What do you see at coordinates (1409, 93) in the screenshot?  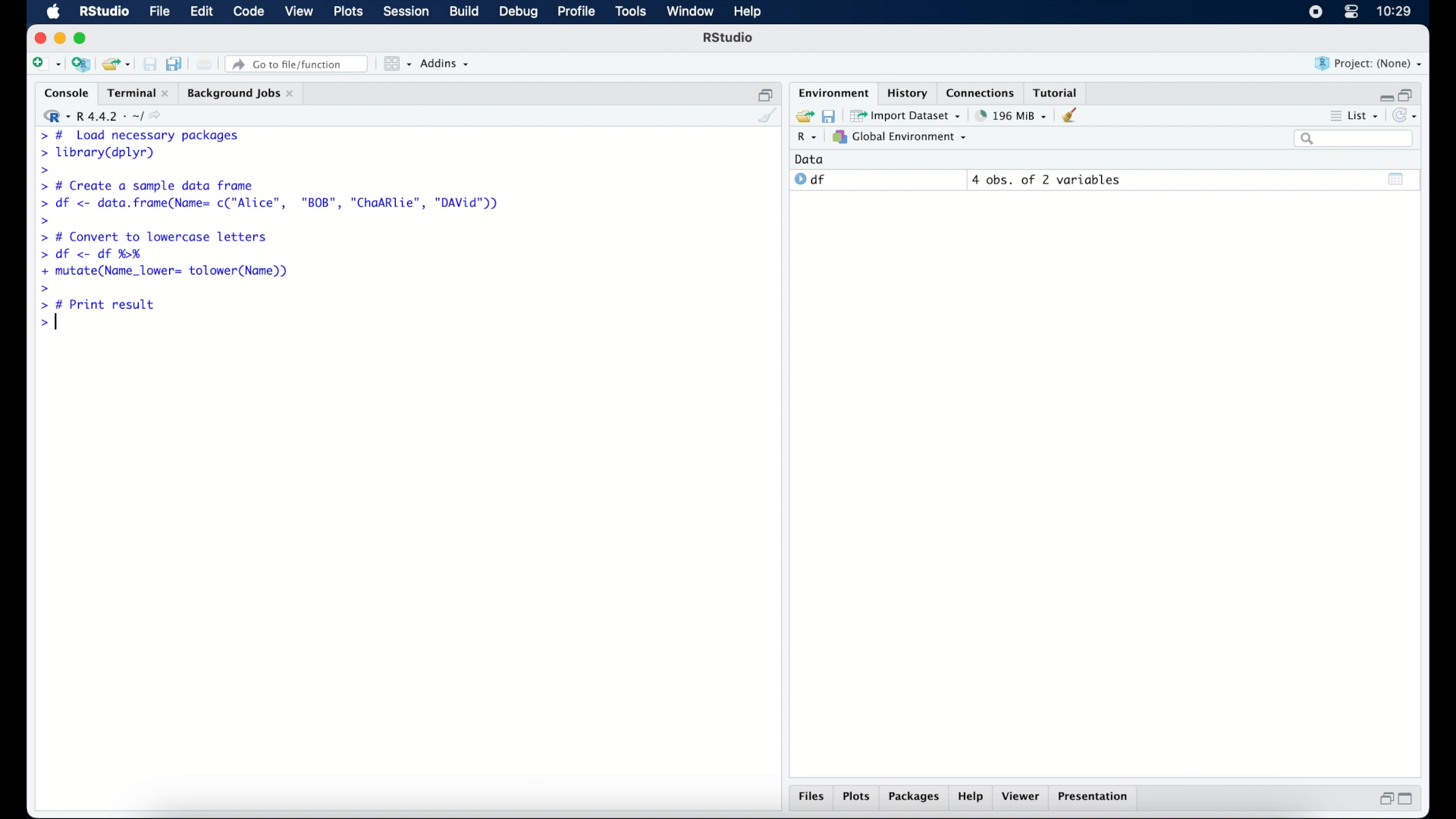 I see `restore down` at bounding box center [1409, 93].